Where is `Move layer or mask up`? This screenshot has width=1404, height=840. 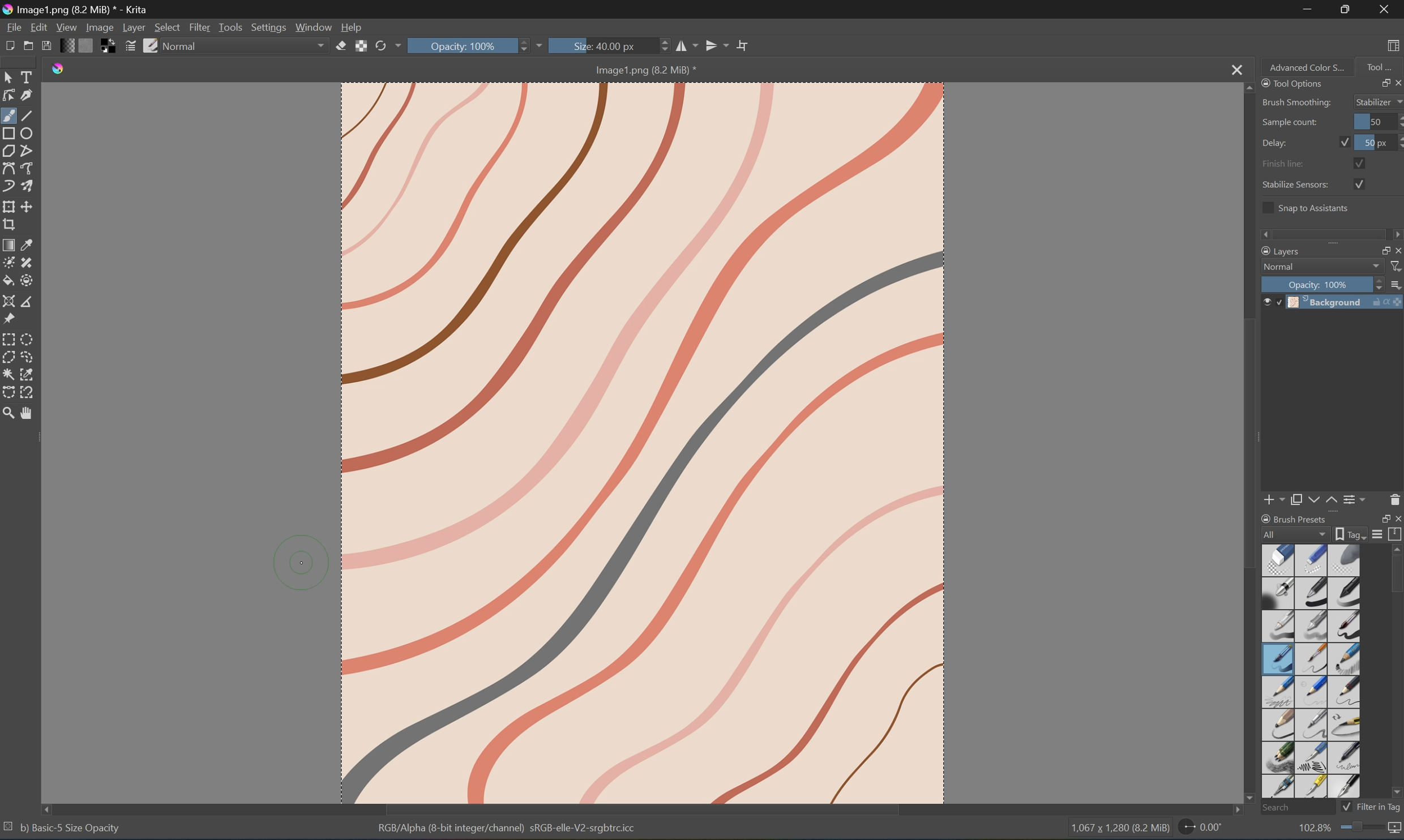 Move layer or mask up is located at coordinates (1332, 500).